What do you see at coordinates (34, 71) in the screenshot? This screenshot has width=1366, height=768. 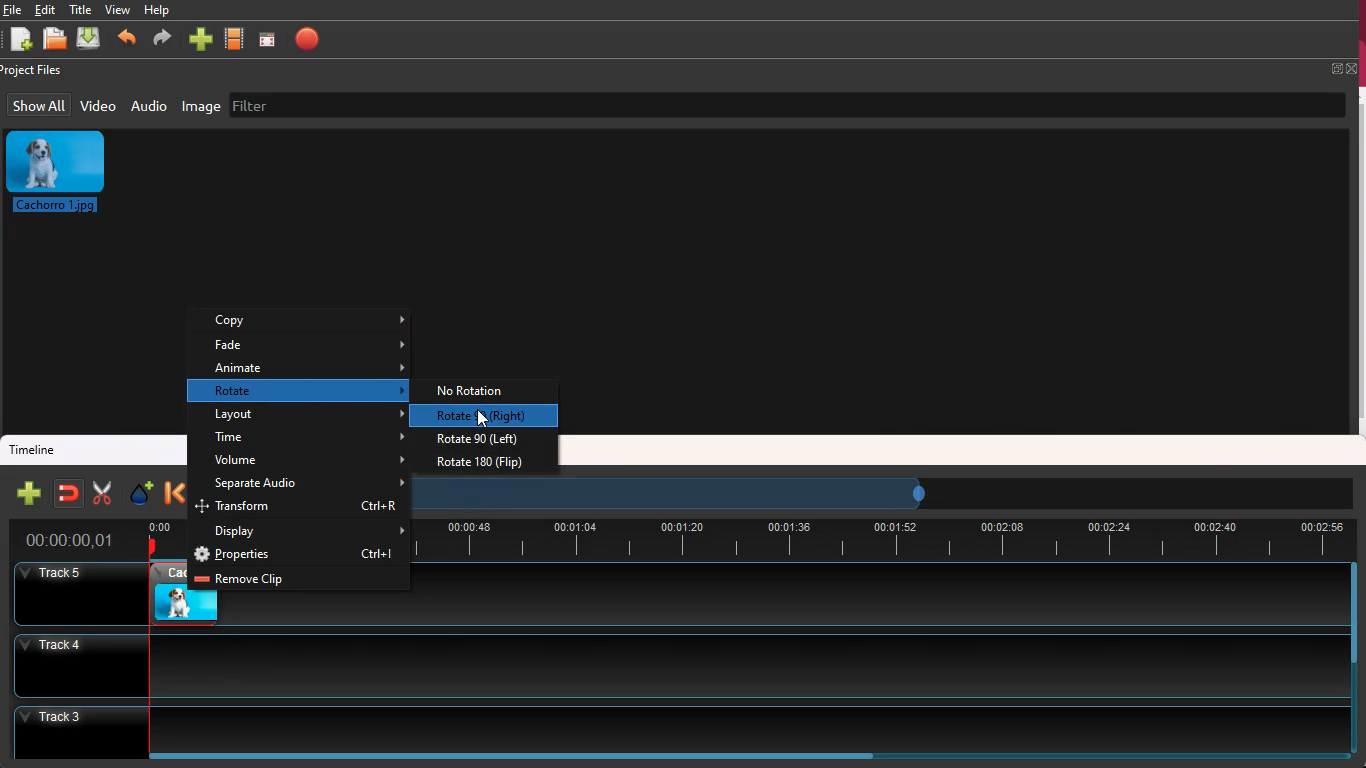 I see `project files` at bounding box center [34, 71].